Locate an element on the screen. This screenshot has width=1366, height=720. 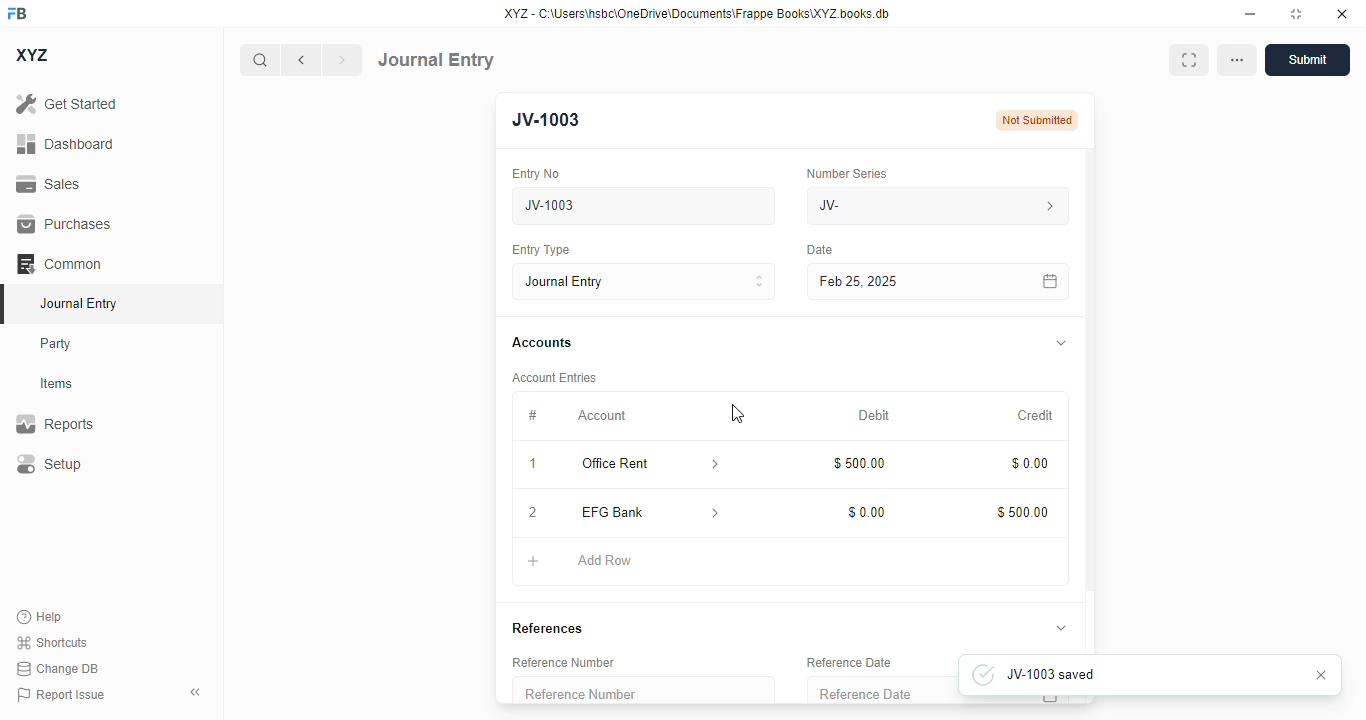
reference number is located at coordinates (563, 662).